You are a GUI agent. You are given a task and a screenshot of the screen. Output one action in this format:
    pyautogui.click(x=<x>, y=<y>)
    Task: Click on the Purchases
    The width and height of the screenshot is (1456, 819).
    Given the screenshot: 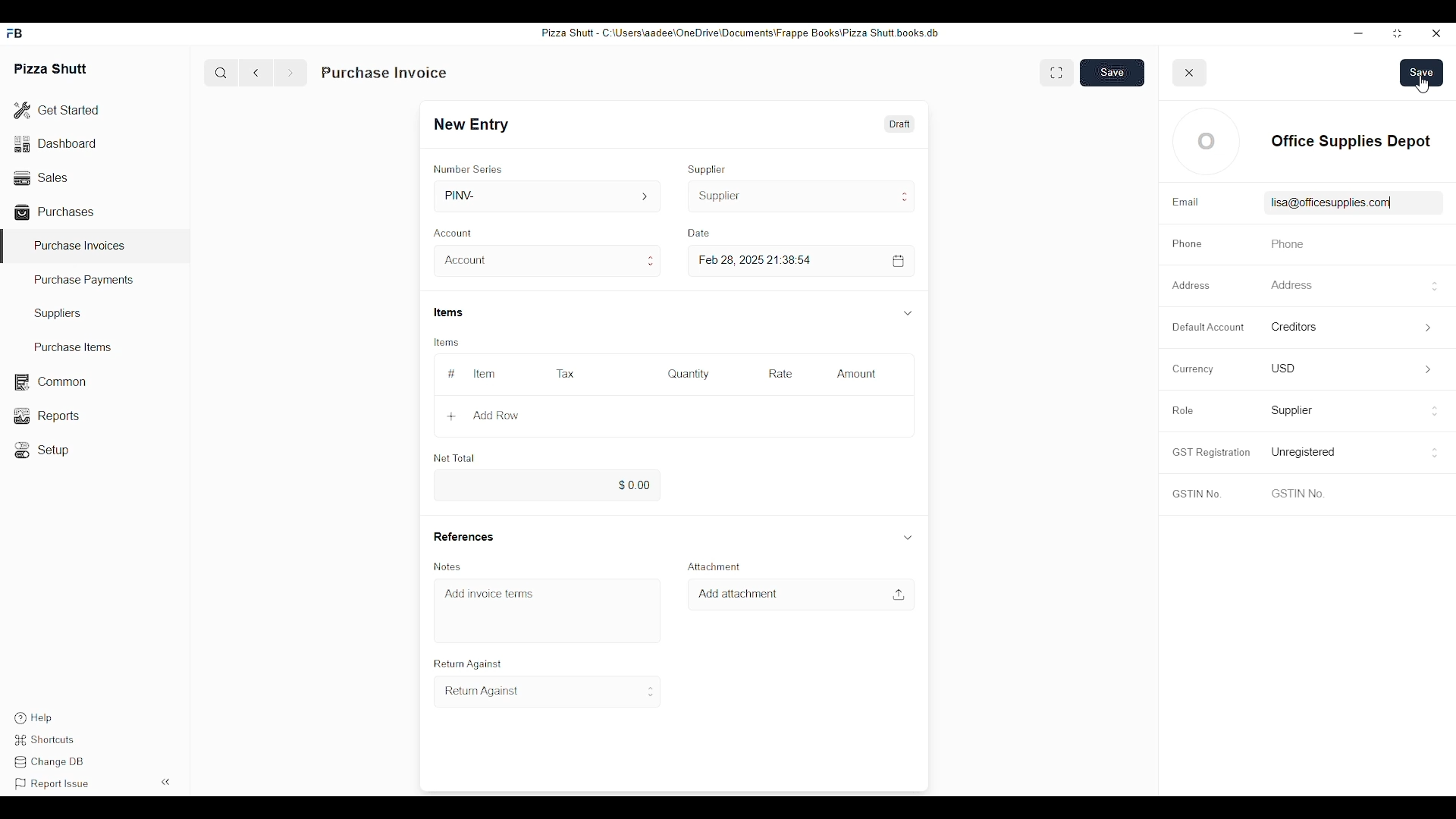 What is the action you would take?
    pyautogui.click(x=57, y=212)
    